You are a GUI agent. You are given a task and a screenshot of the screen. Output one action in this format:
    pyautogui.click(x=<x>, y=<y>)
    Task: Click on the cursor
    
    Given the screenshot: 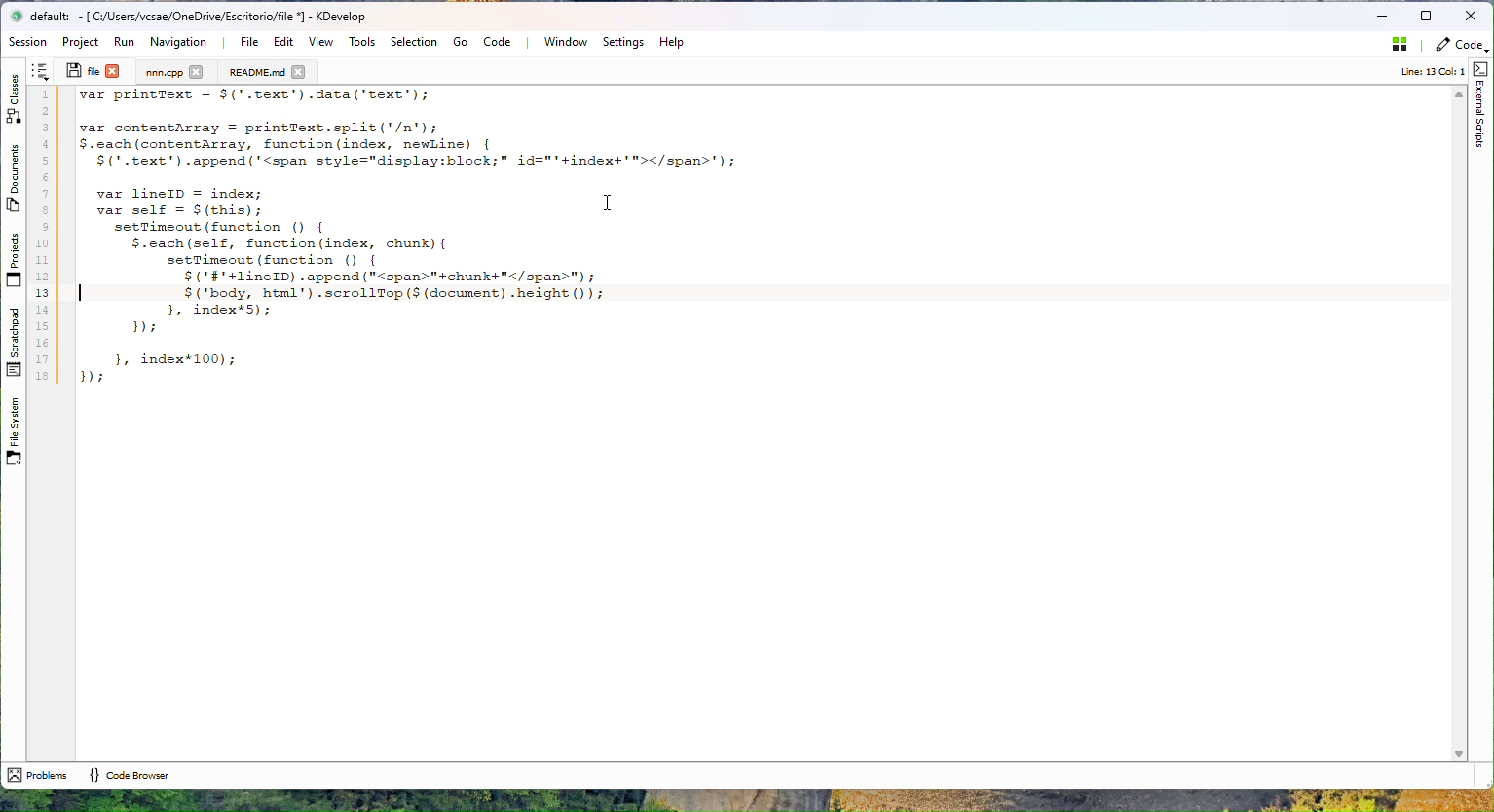 What is the action you would take?
    pyautogui.click(x=608, y=203)
    